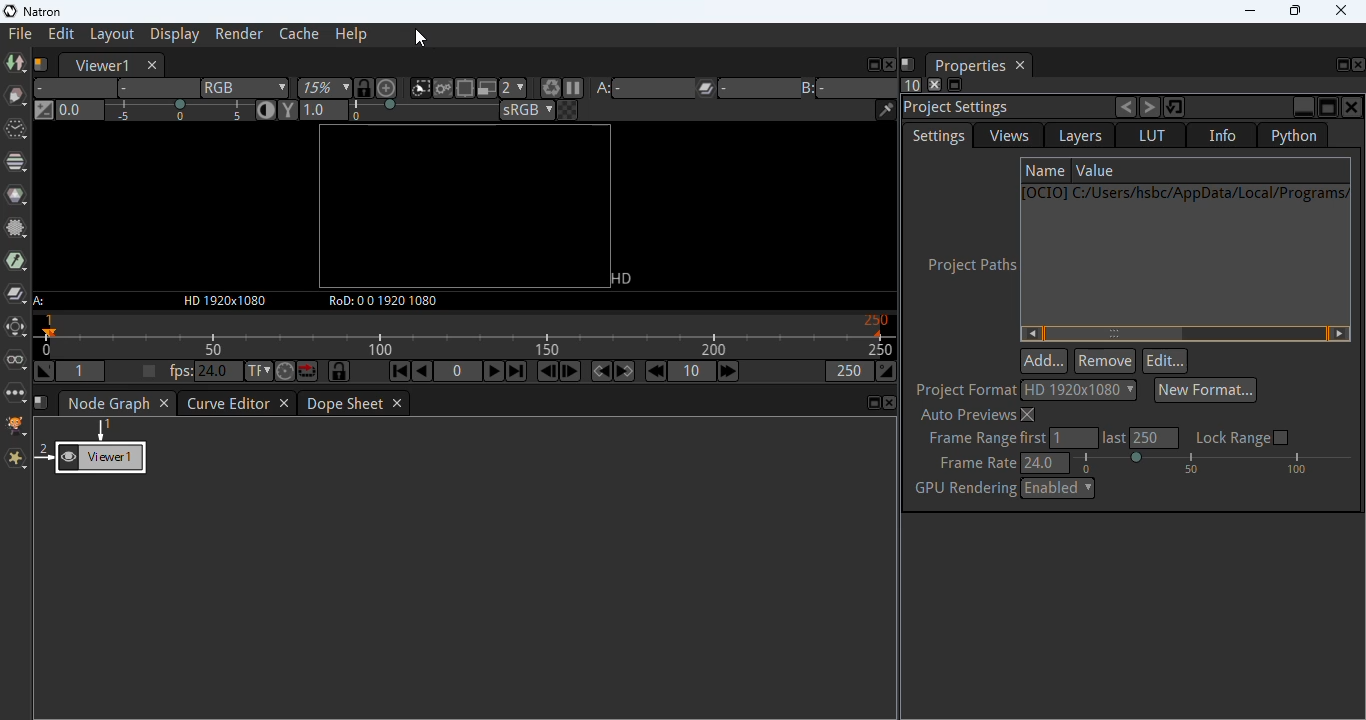  Describe the element at coordinates (492, 371) in the screenshot. I see `play forward` at that location.